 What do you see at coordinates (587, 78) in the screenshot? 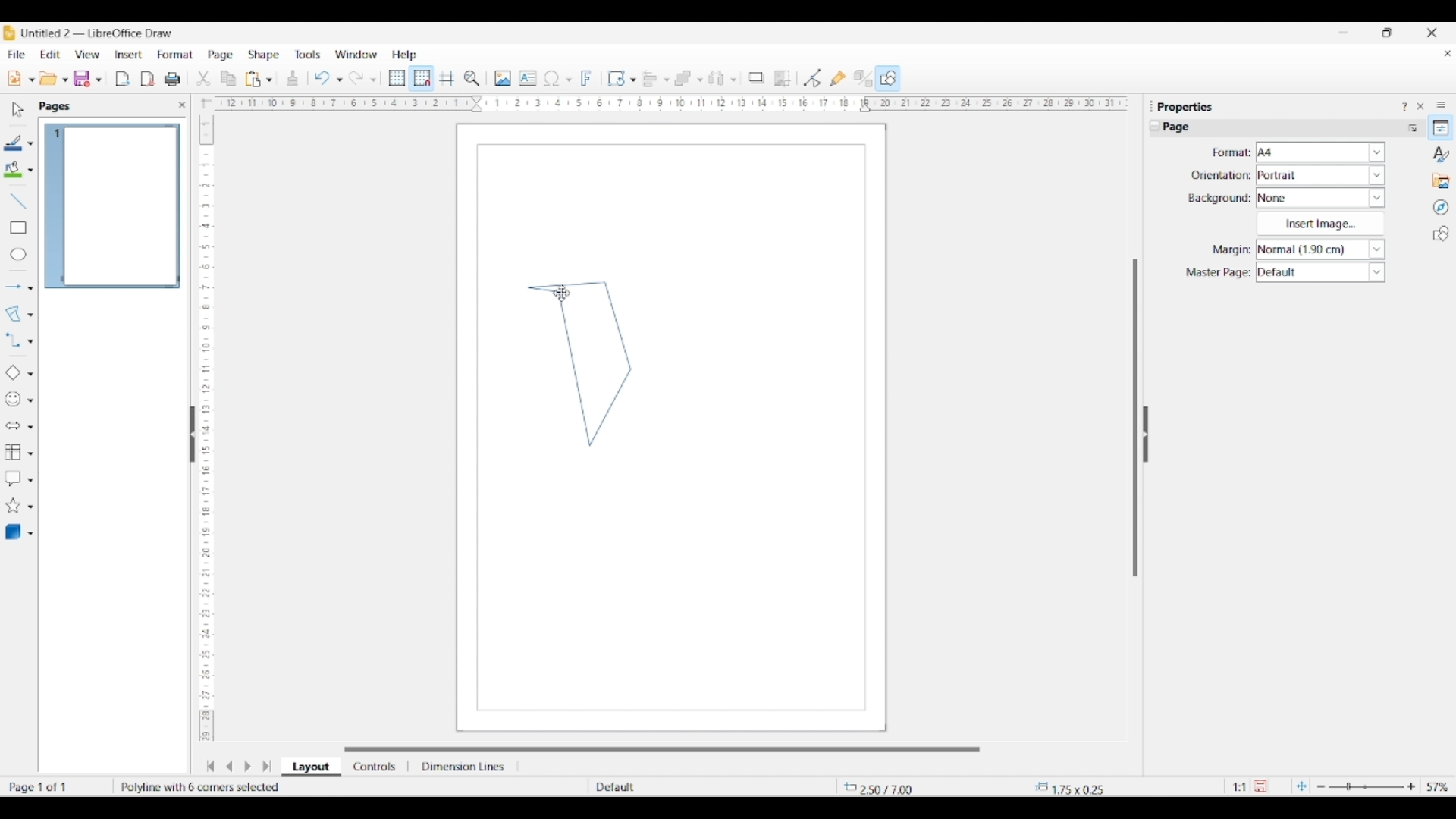
I see `Insert fontwork text` at bounding box center [587, 78].